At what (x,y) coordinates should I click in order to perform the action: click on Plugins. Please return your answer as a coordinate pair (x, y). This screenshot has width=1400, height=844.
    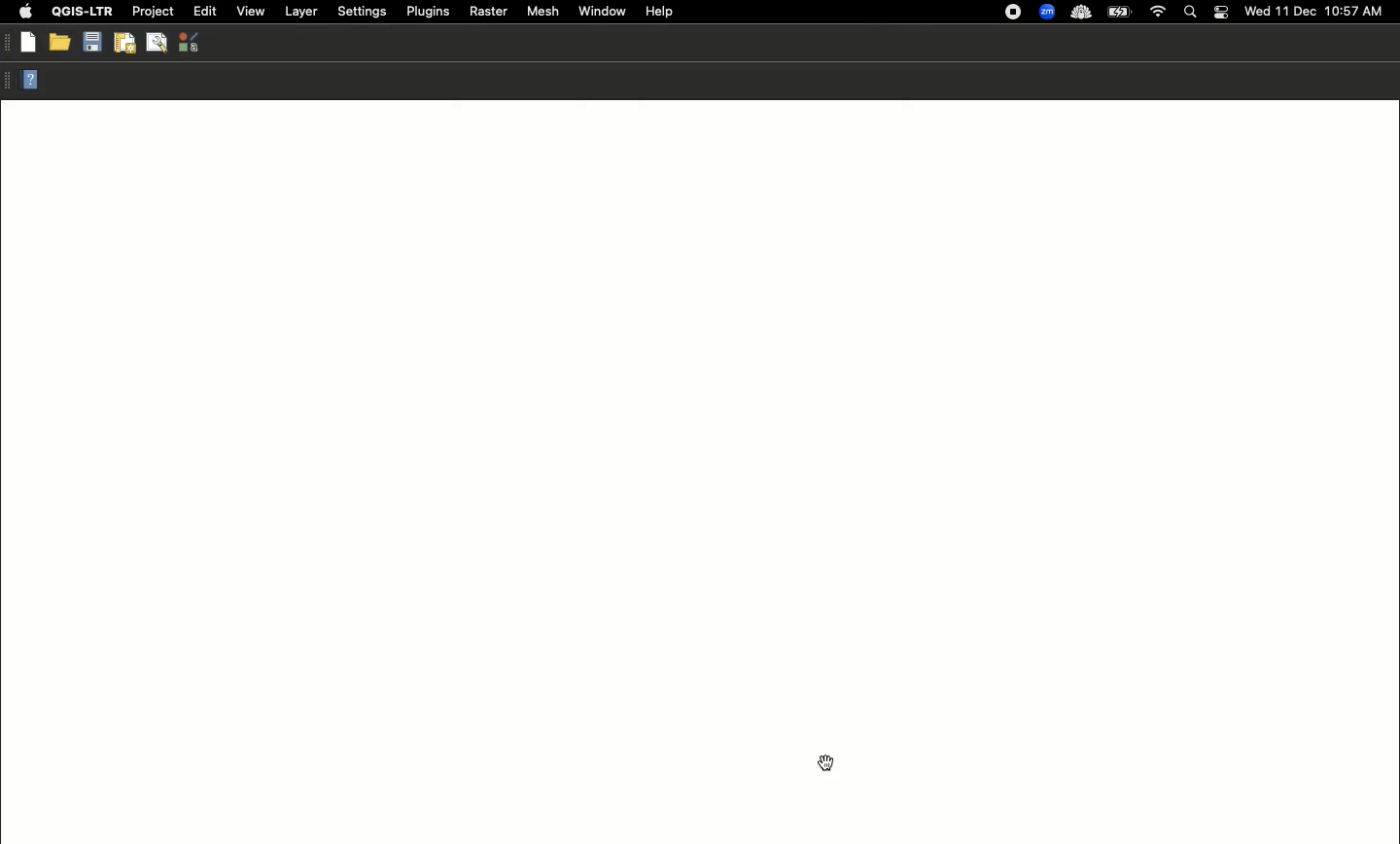
    Looking at the image, I should click on (427, 10).